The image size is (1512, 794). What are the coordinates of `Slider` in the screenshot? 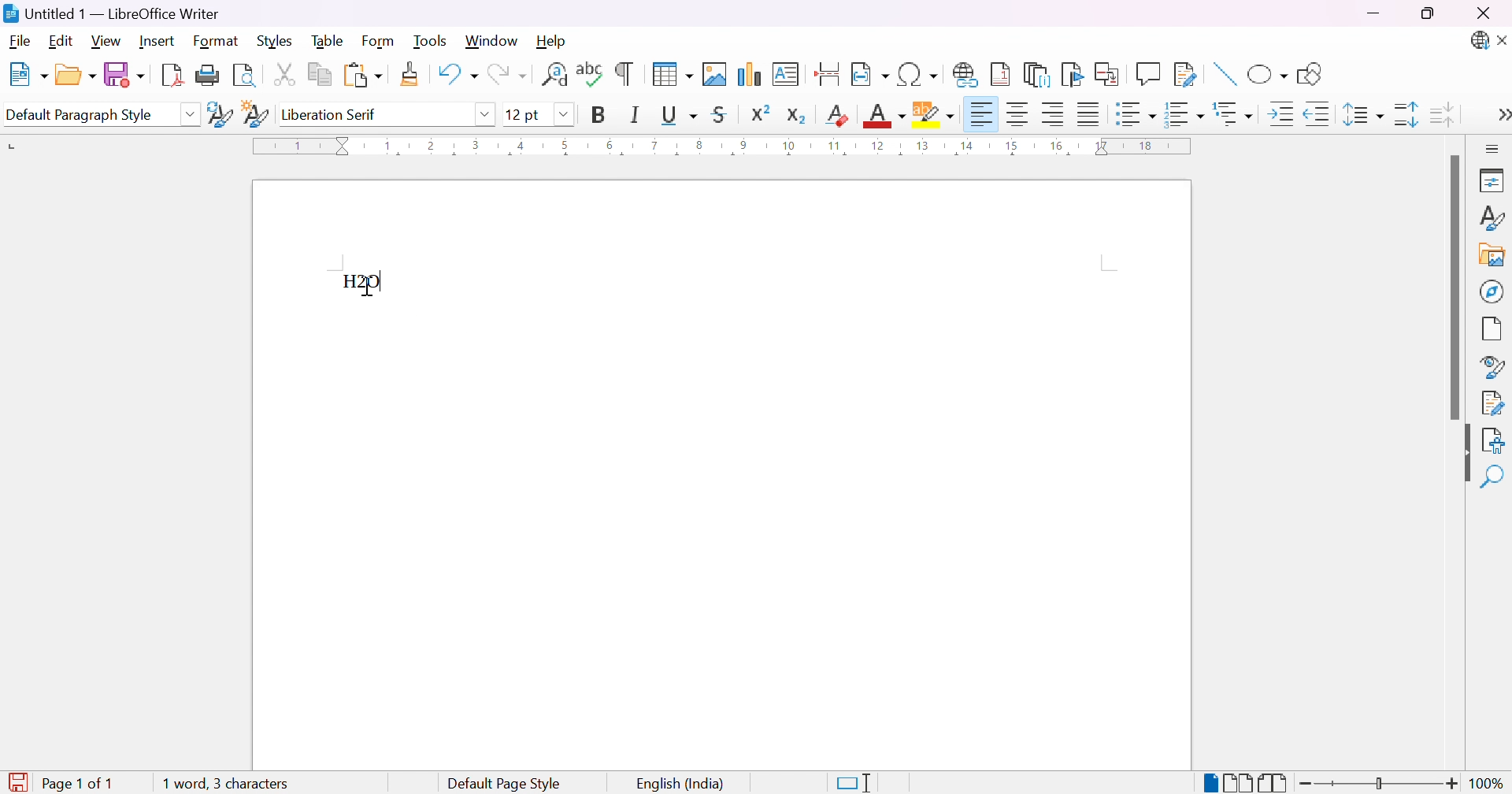 It's located at (1377, 785).